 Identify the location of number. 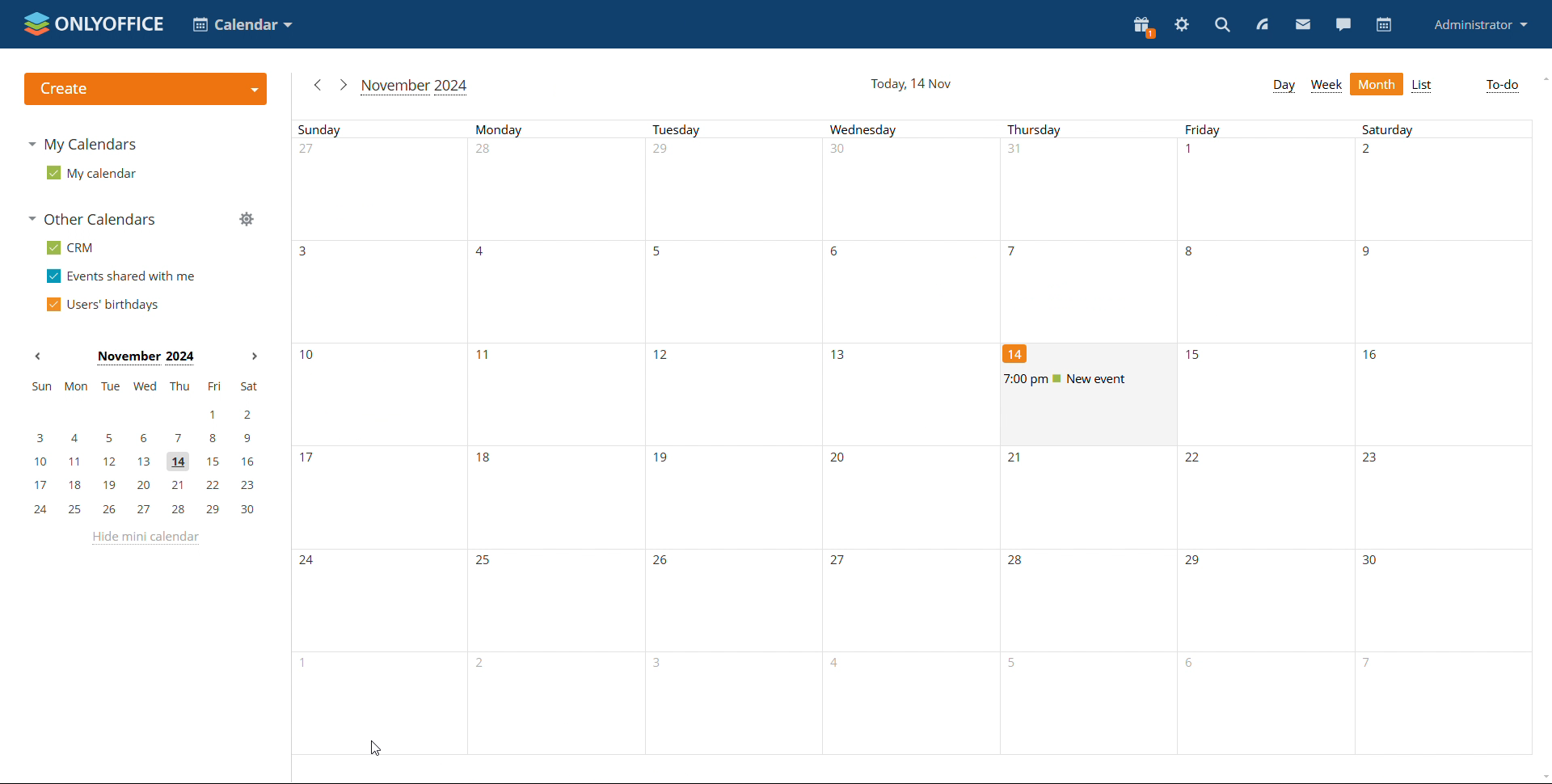
(311, 563).